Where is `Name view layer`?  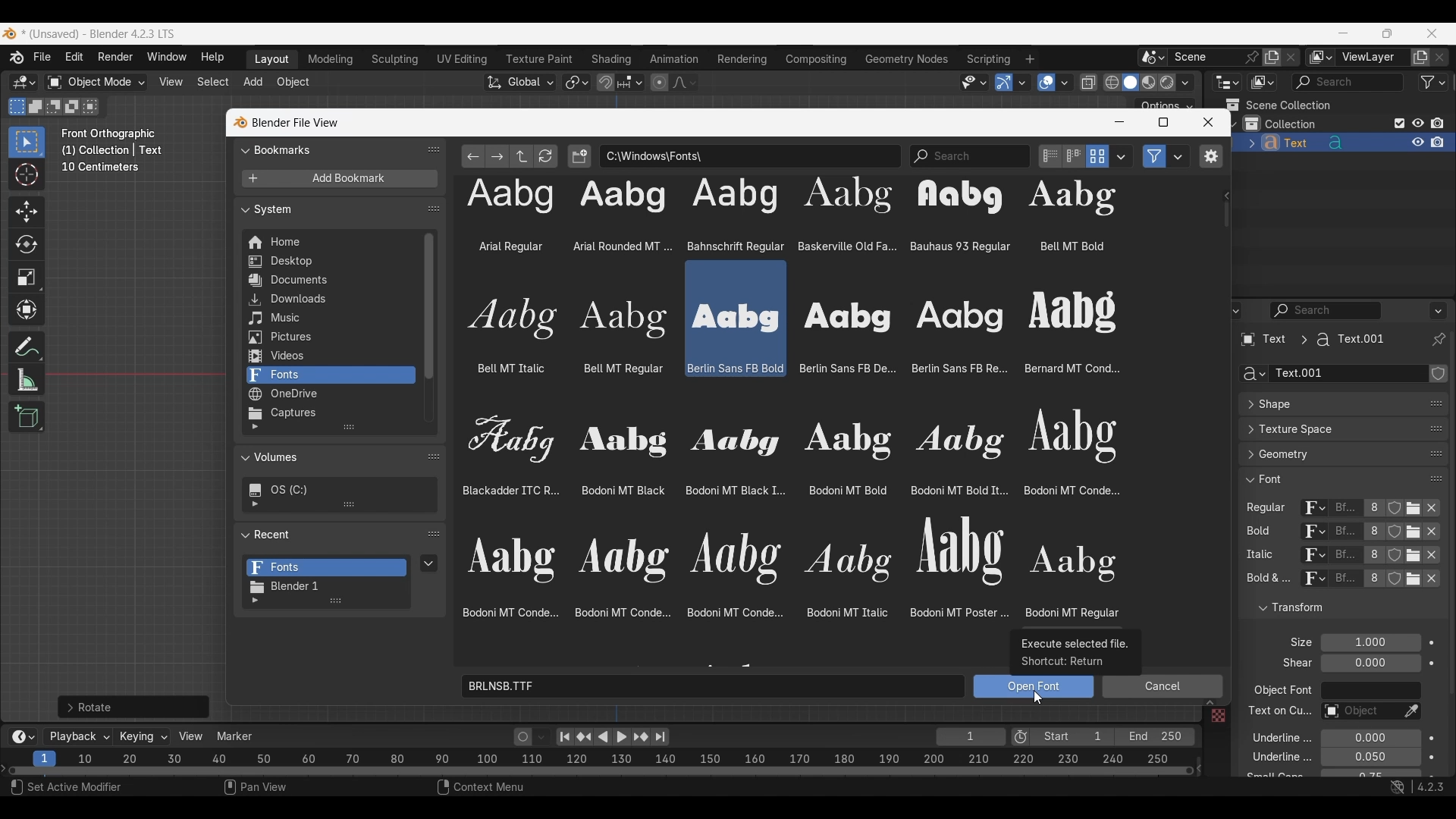
Name view layer is located at coordinates (1373, 58).